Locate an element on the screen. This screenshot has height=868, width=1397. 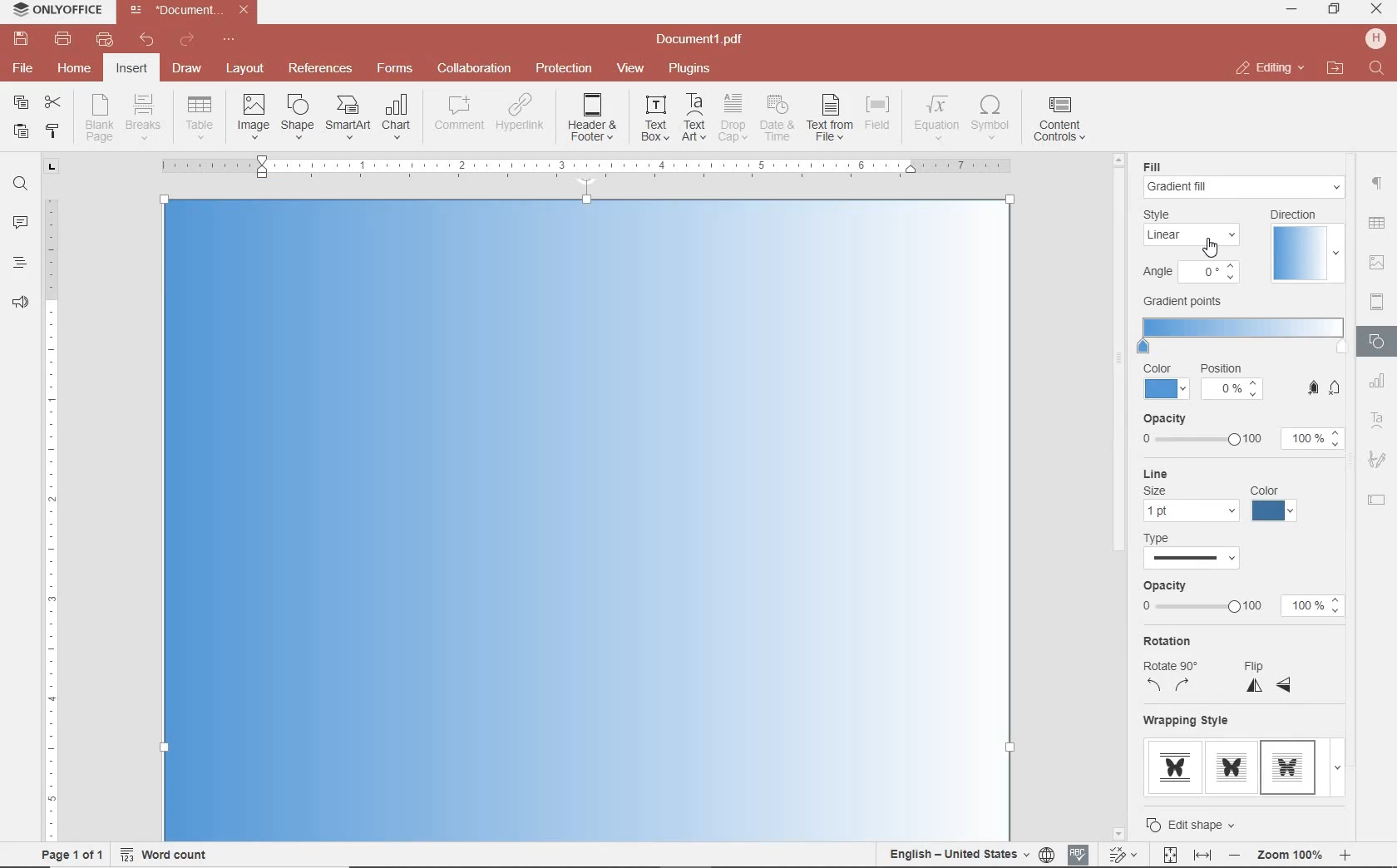
INSERT CHAT is located at coordinates (397, 118).